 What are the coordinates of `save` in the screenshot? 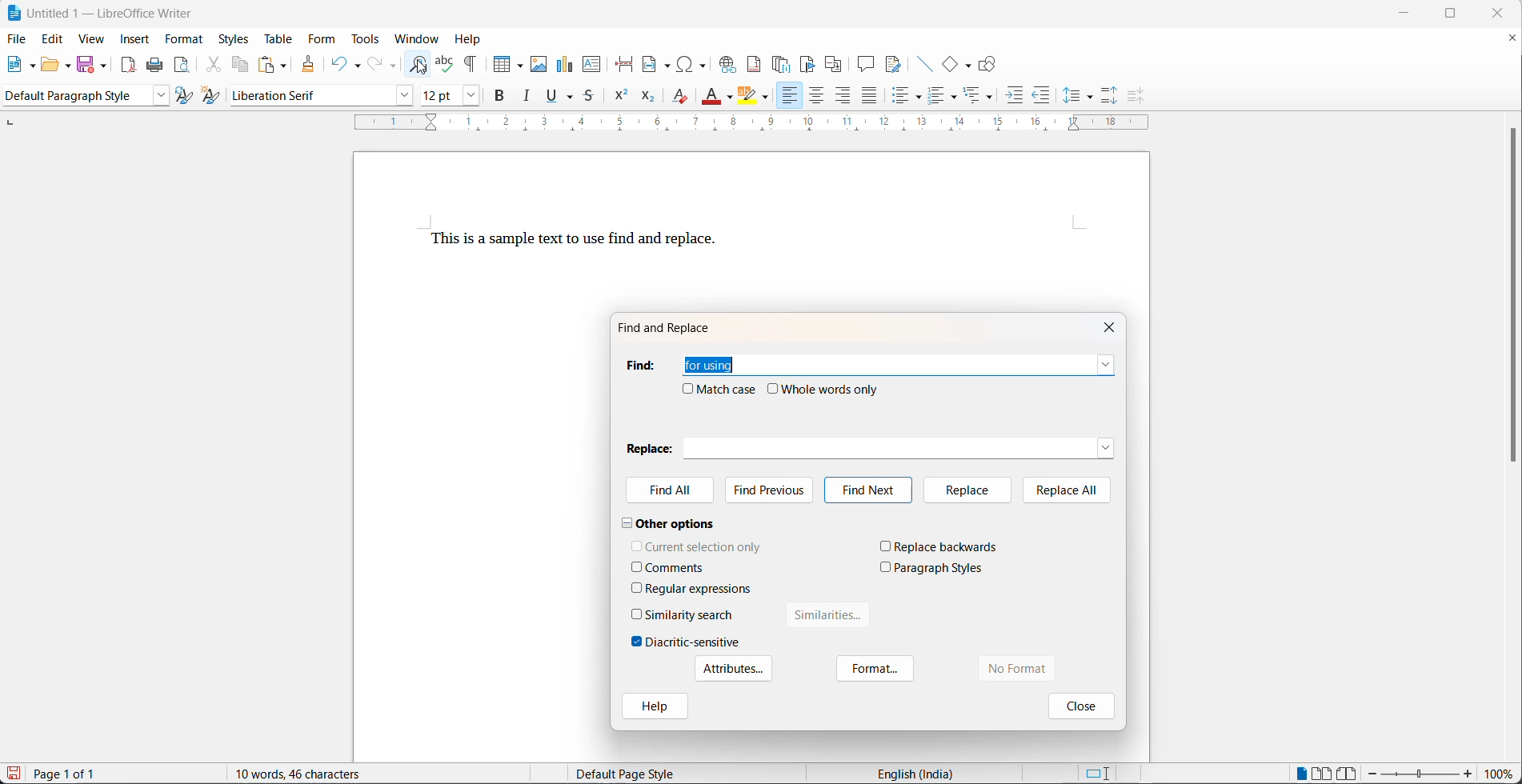 It's located at (14, 773).